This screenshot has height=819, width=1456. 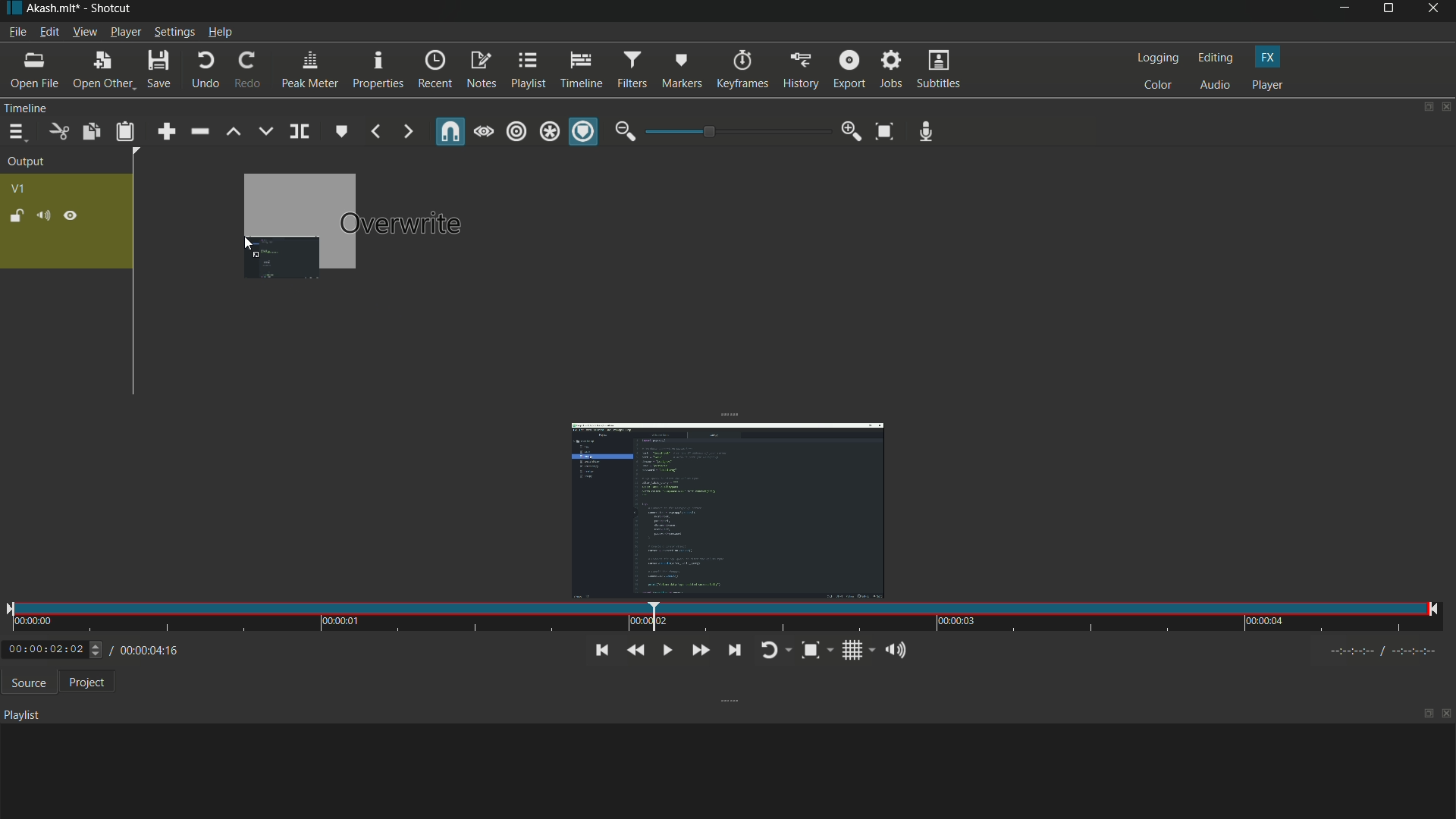 I want to click on fx, so click(x=1269, y=58).